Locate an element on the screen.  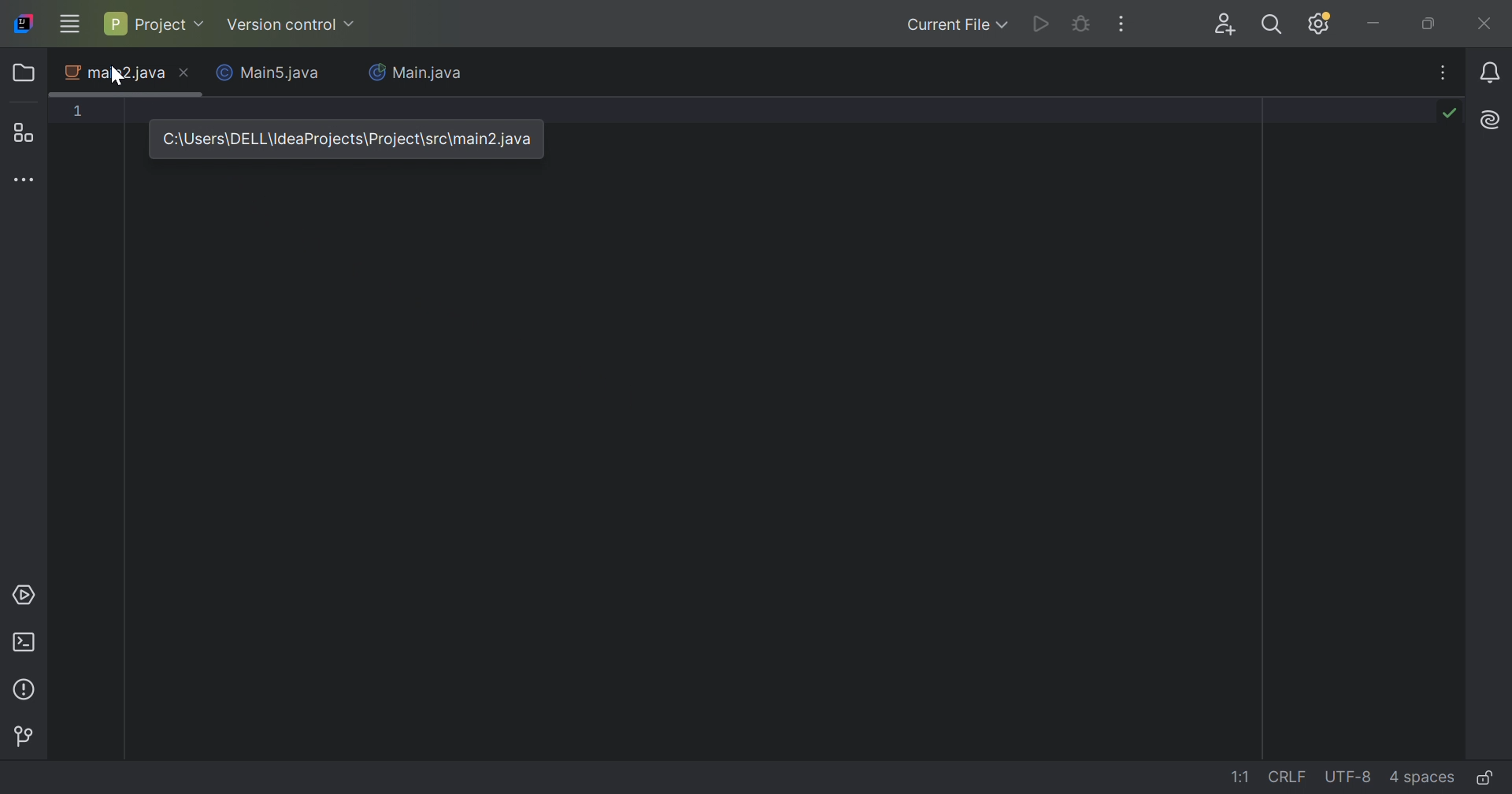
Debug is located at coordinates (1080, 24).